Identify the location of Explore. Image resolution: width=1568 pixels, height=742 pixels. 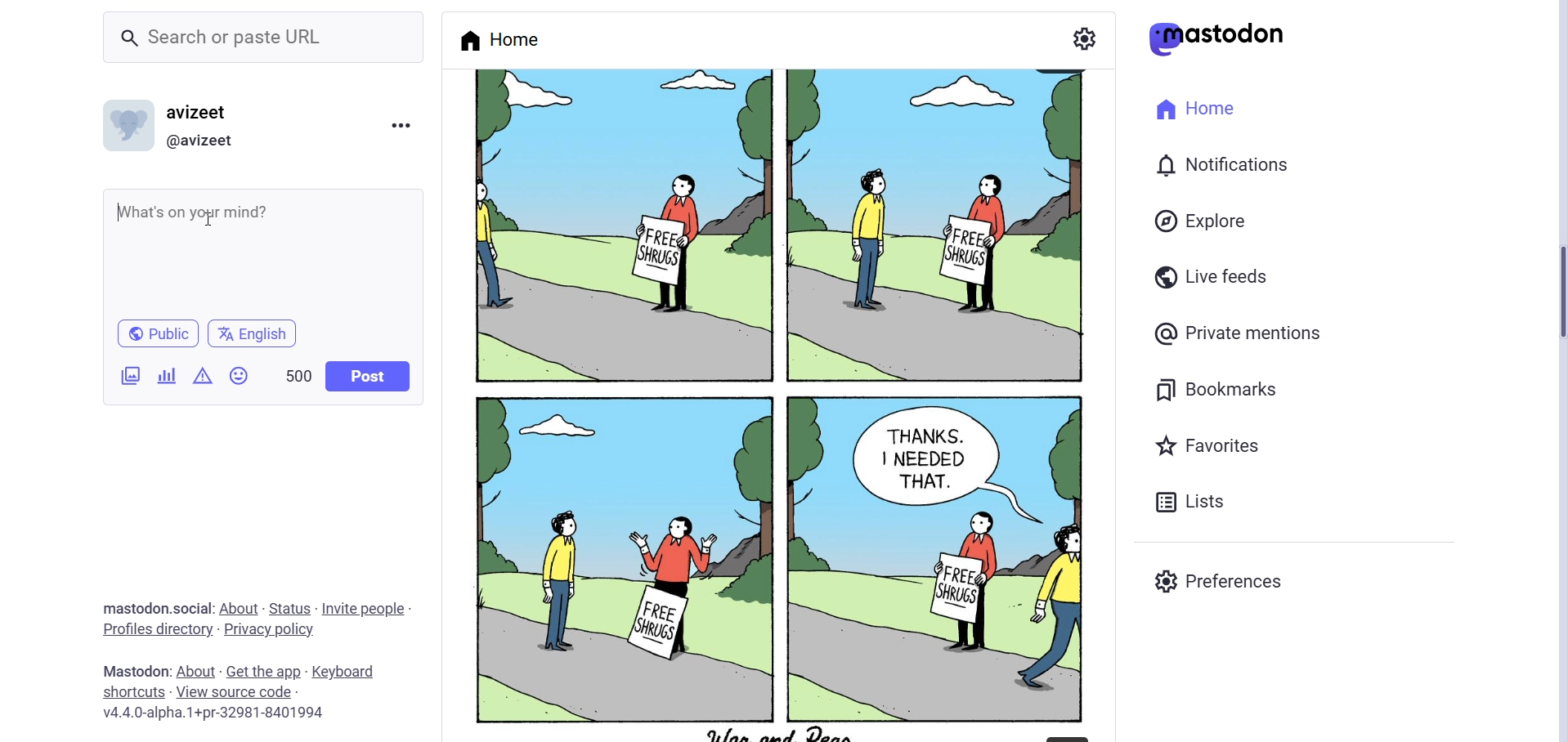
(1203, 223).